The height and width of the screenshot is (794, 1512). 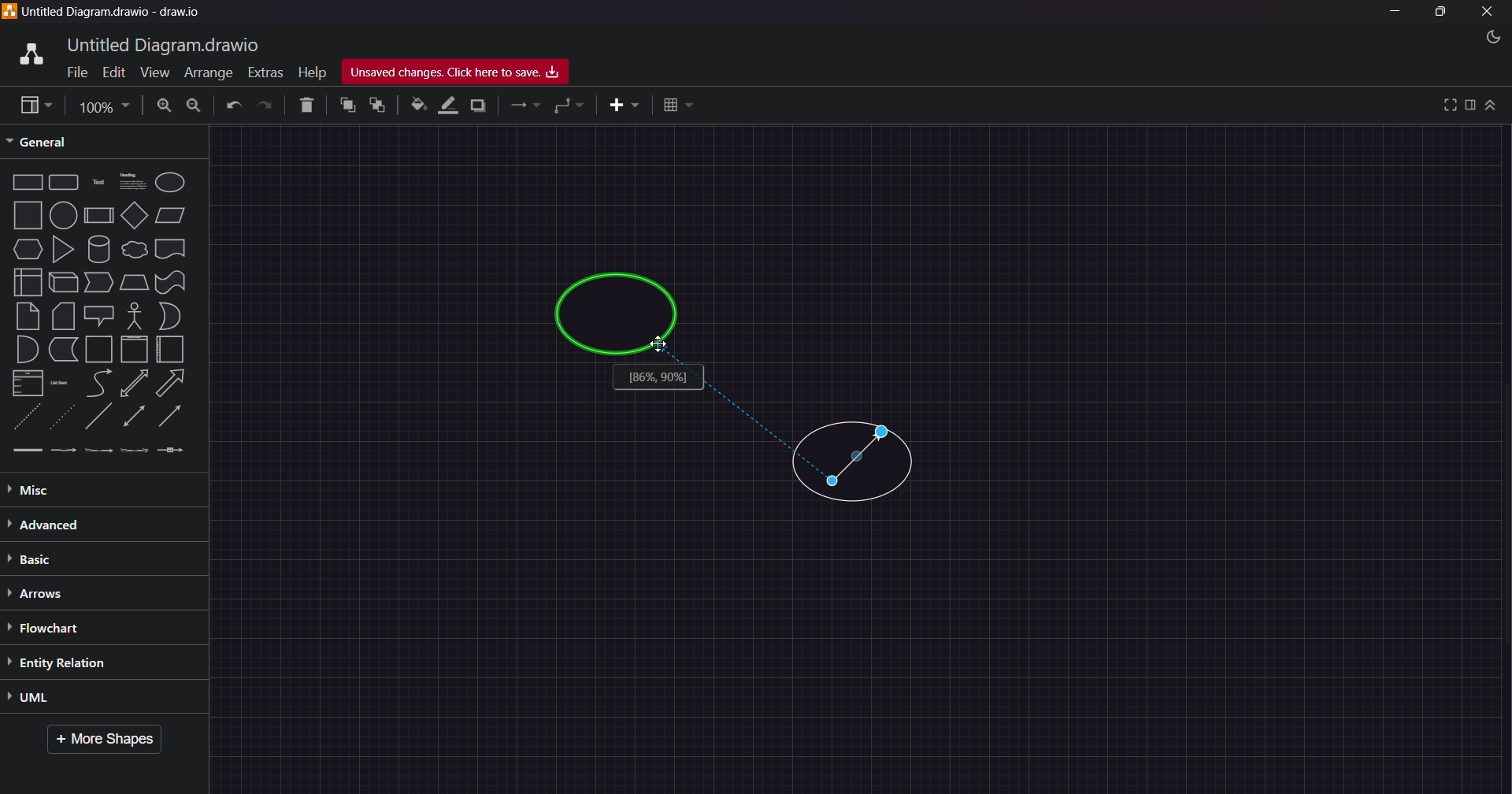 I want to click on Close, so click(x=1488, y=12).